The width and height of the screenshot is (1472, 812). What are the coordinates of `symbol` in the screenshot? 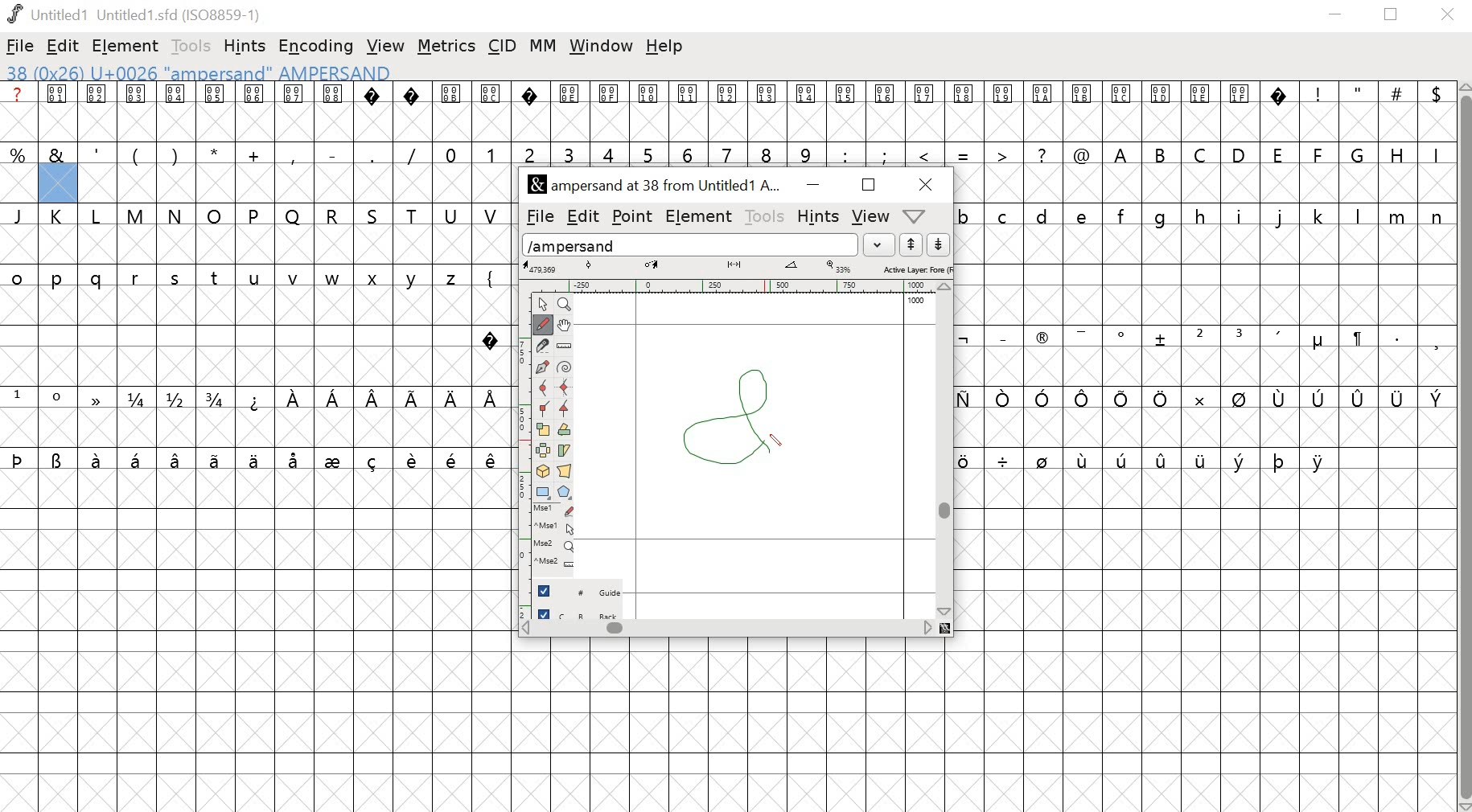 It's located at (492, 397).